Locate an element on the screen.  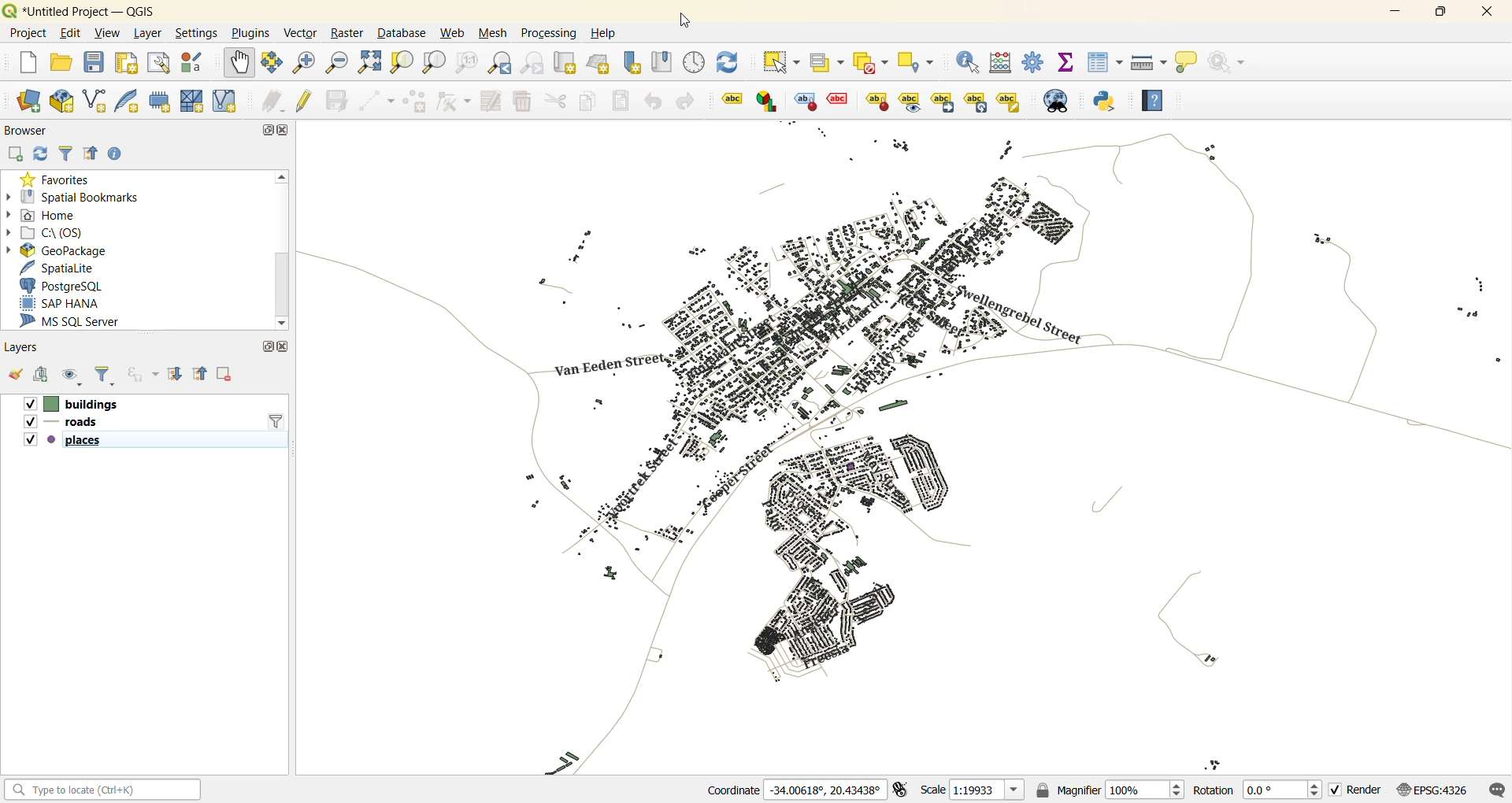
new 3d map view is located at coordinates (599, 62).